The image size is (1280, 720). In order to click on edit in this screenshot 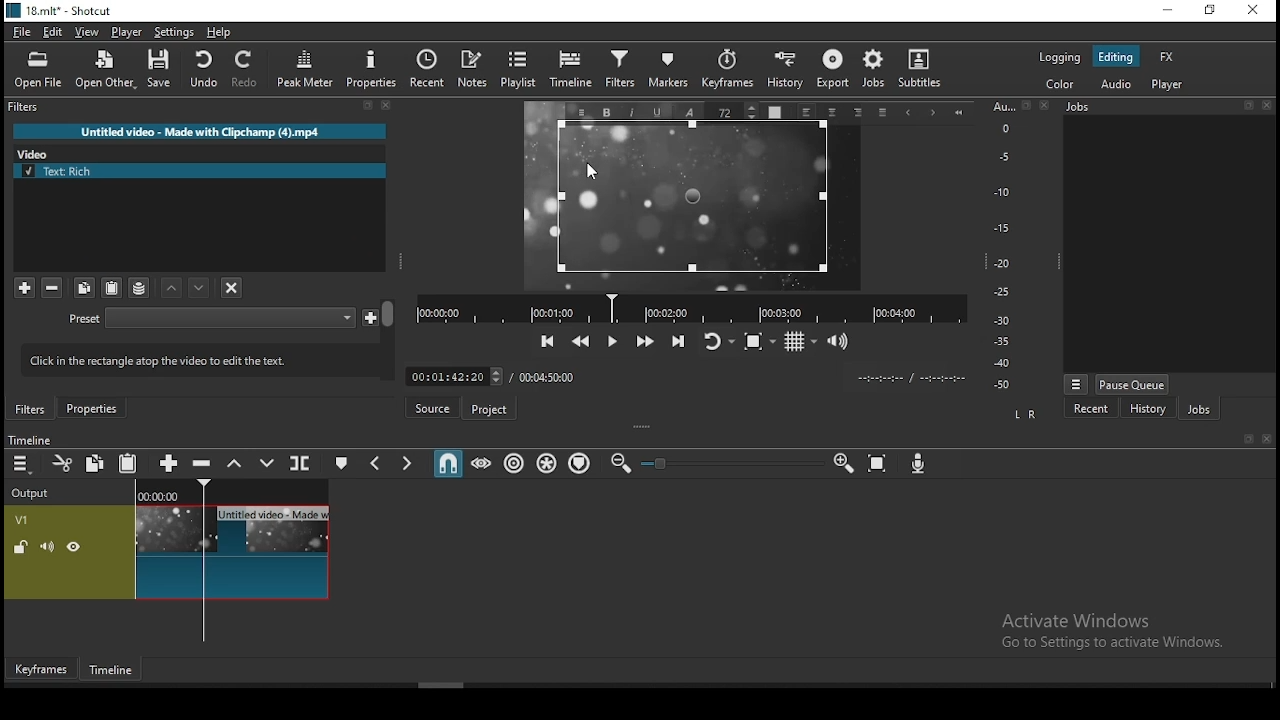, I will do `click(55, 33)`.